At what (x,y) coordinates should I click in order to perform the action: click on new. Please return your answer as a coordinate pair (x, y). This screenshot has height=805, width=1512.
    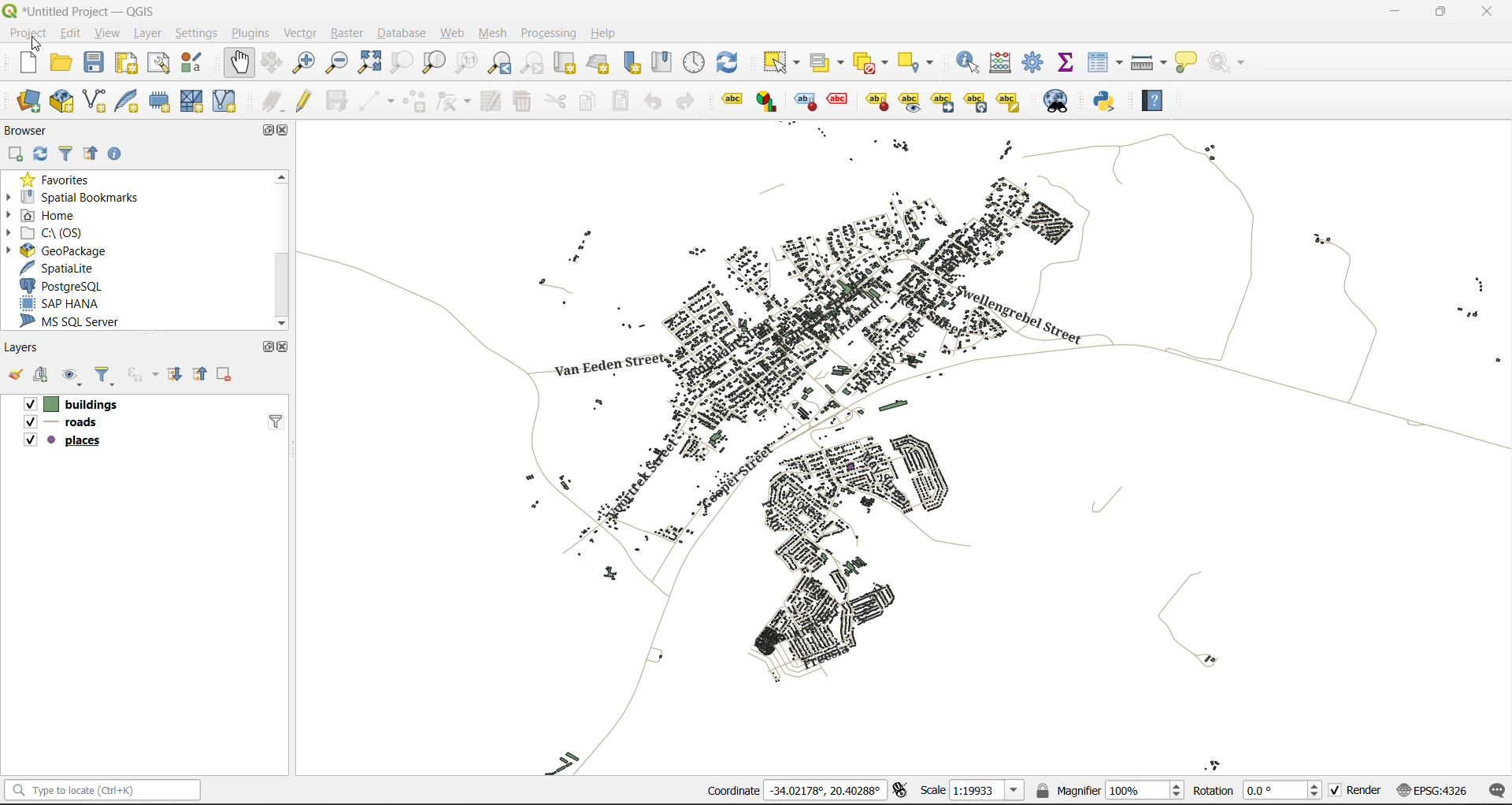
    Looking at the image, I should click on (28, 62).